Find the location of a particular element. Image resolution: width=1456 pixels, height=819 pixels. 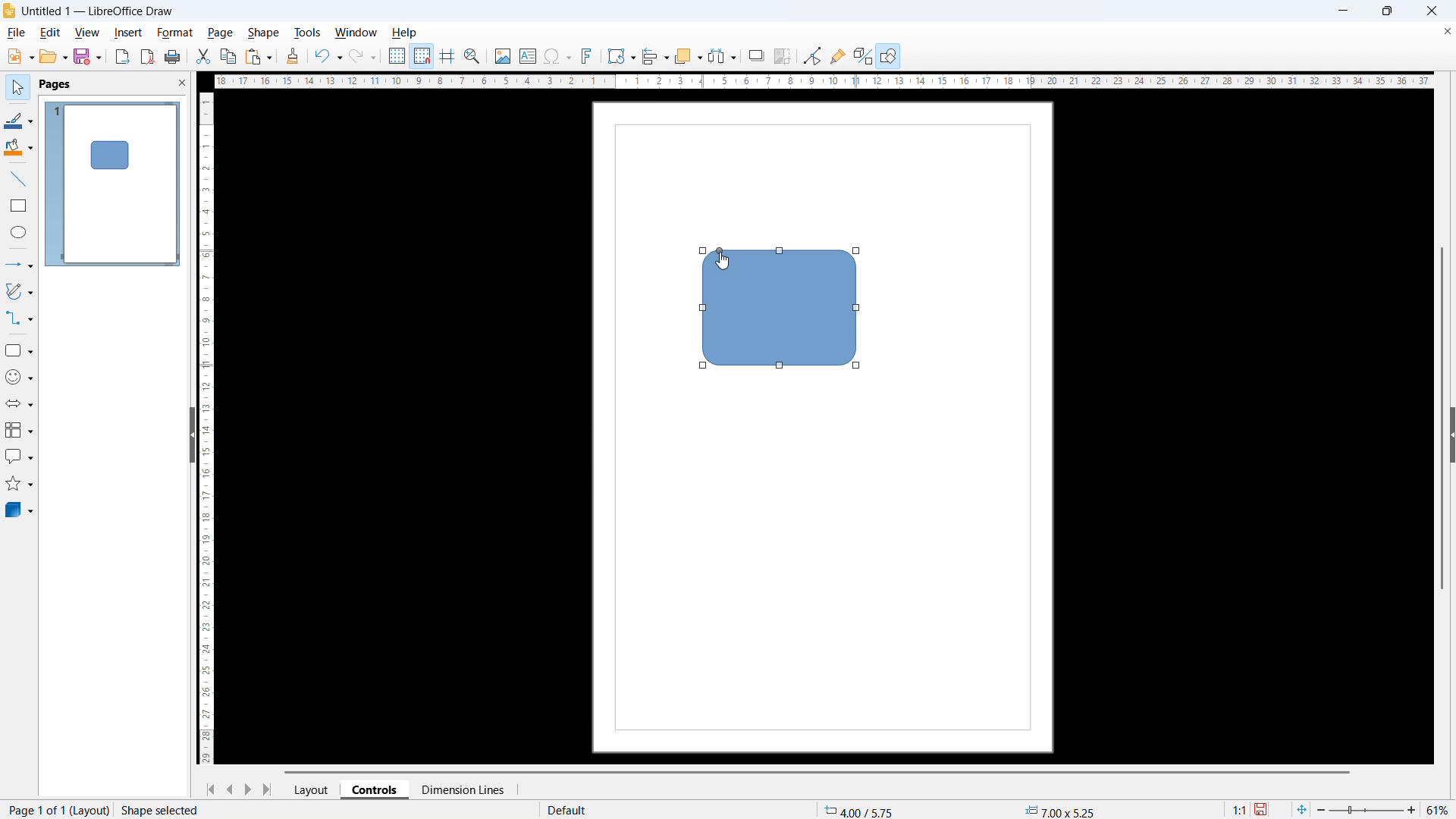

select  is located at coordinates (16, 88).